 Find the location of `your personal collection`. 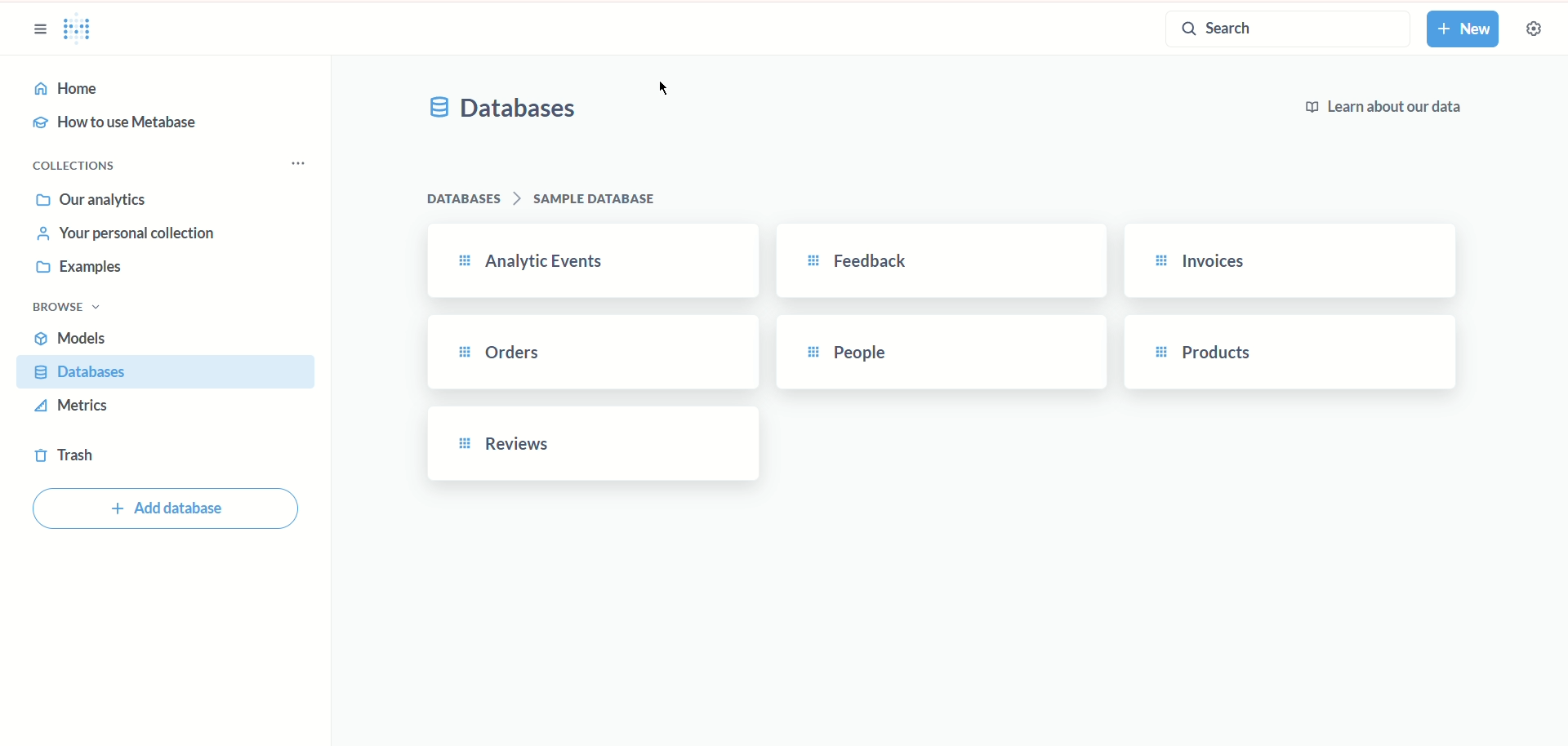

your personal collection is located at coordinates (127, 234).